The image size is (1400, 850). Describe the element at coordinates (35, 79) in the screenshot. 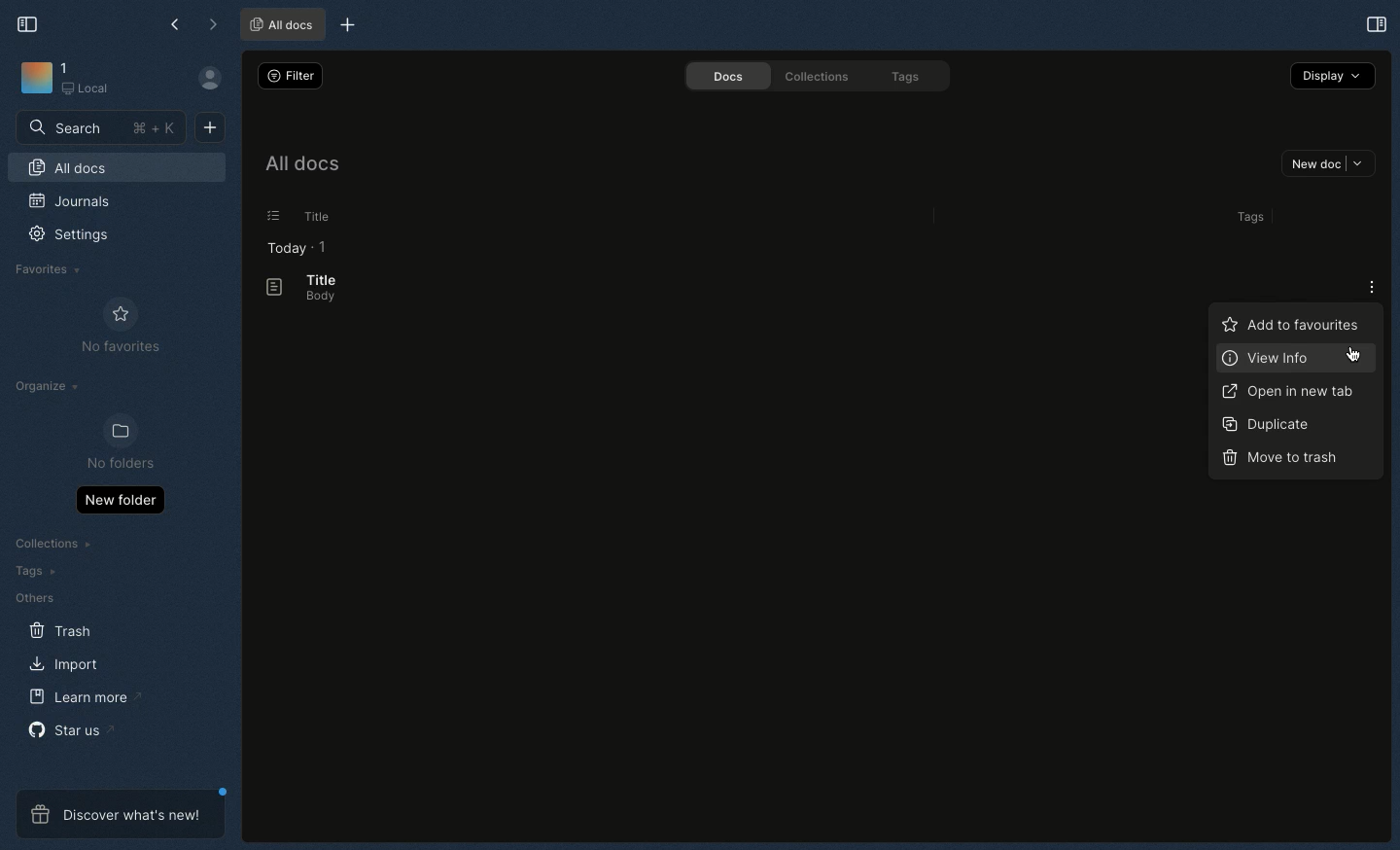

I see `Icon` at that location.